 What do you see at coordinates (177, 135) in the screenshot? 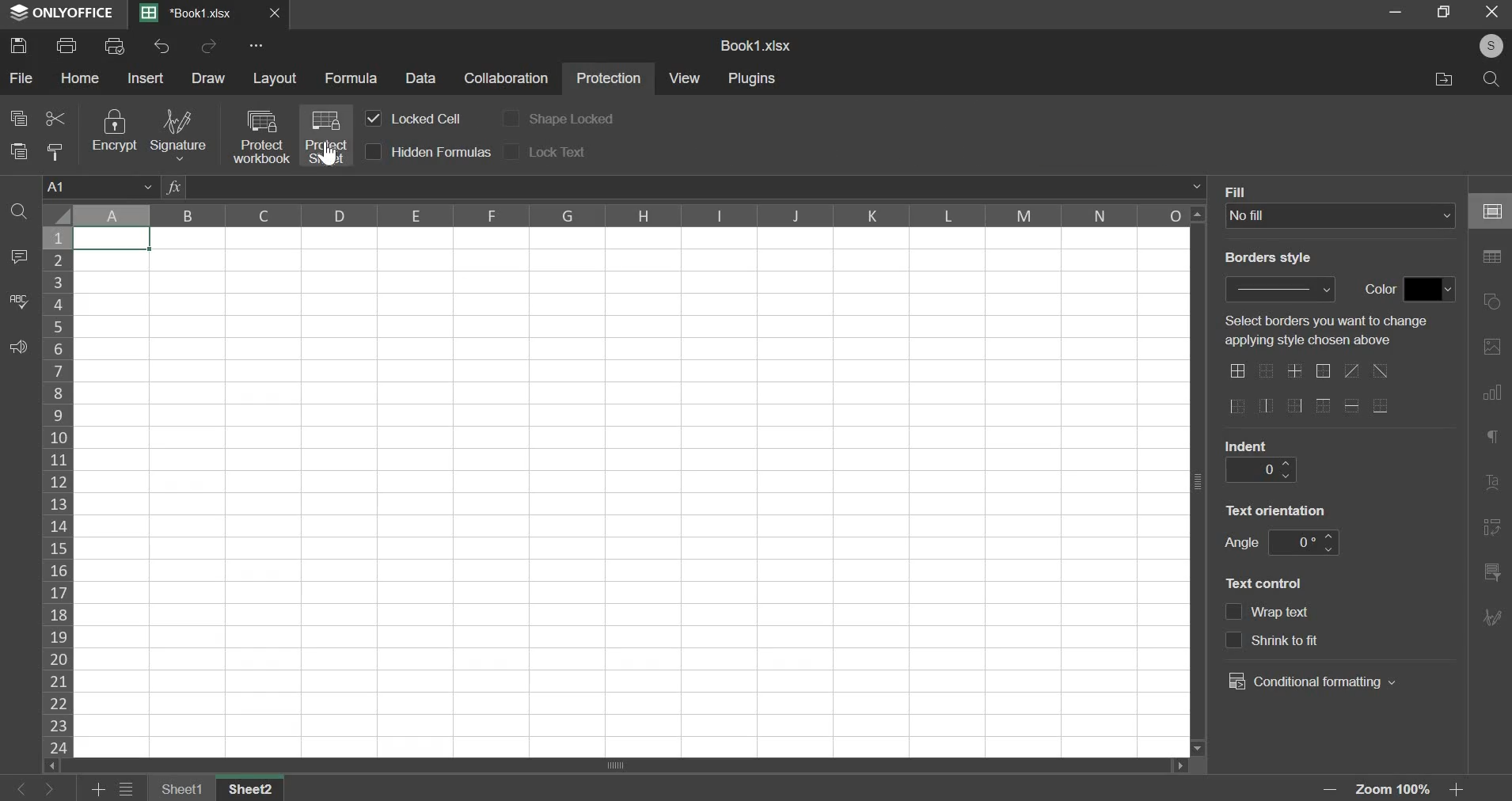
I see `signature` at bounding box center [177, 135].